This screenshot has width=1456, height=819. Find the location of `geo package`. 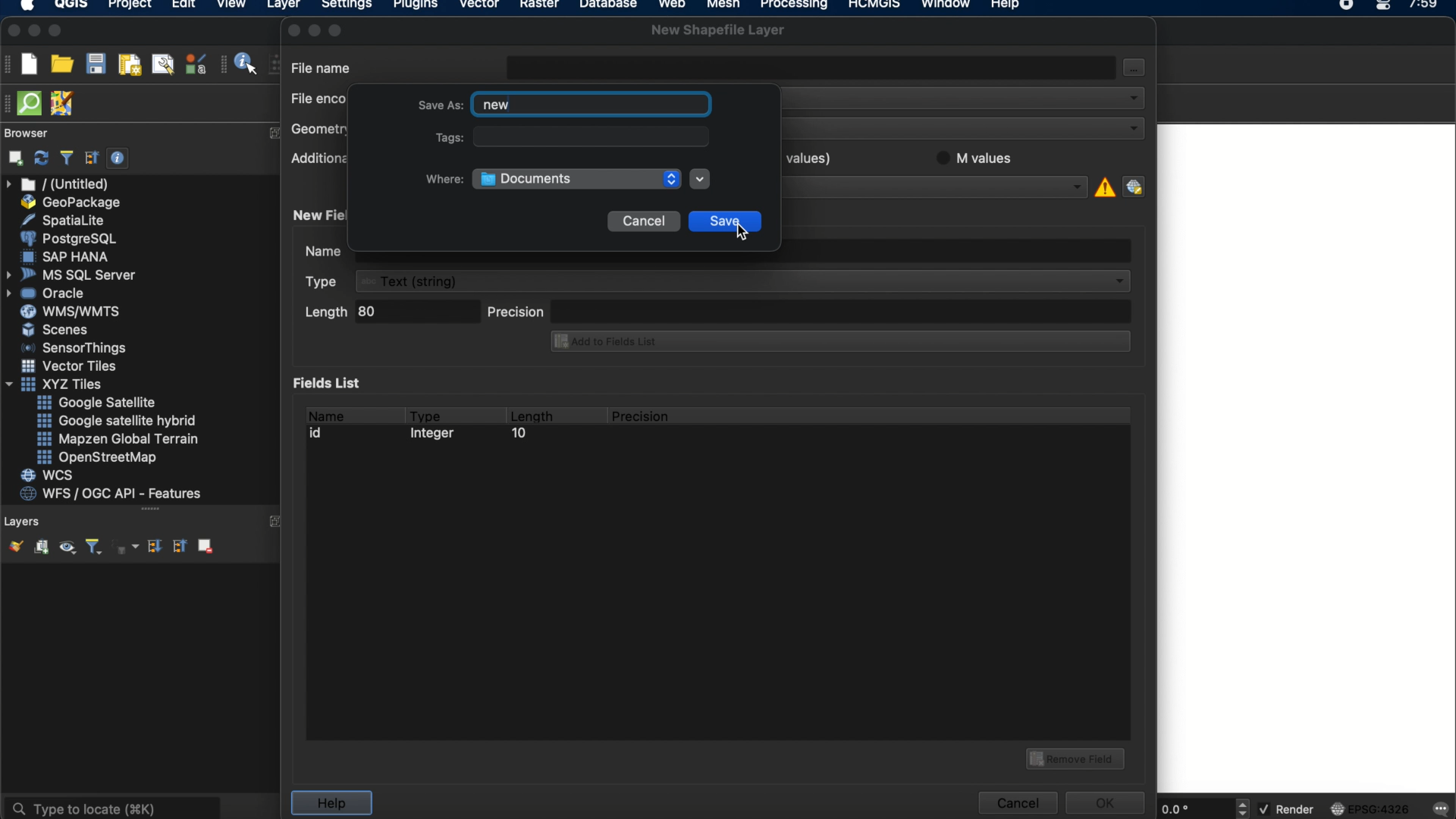

geo package is located at coordinates (69, 202).